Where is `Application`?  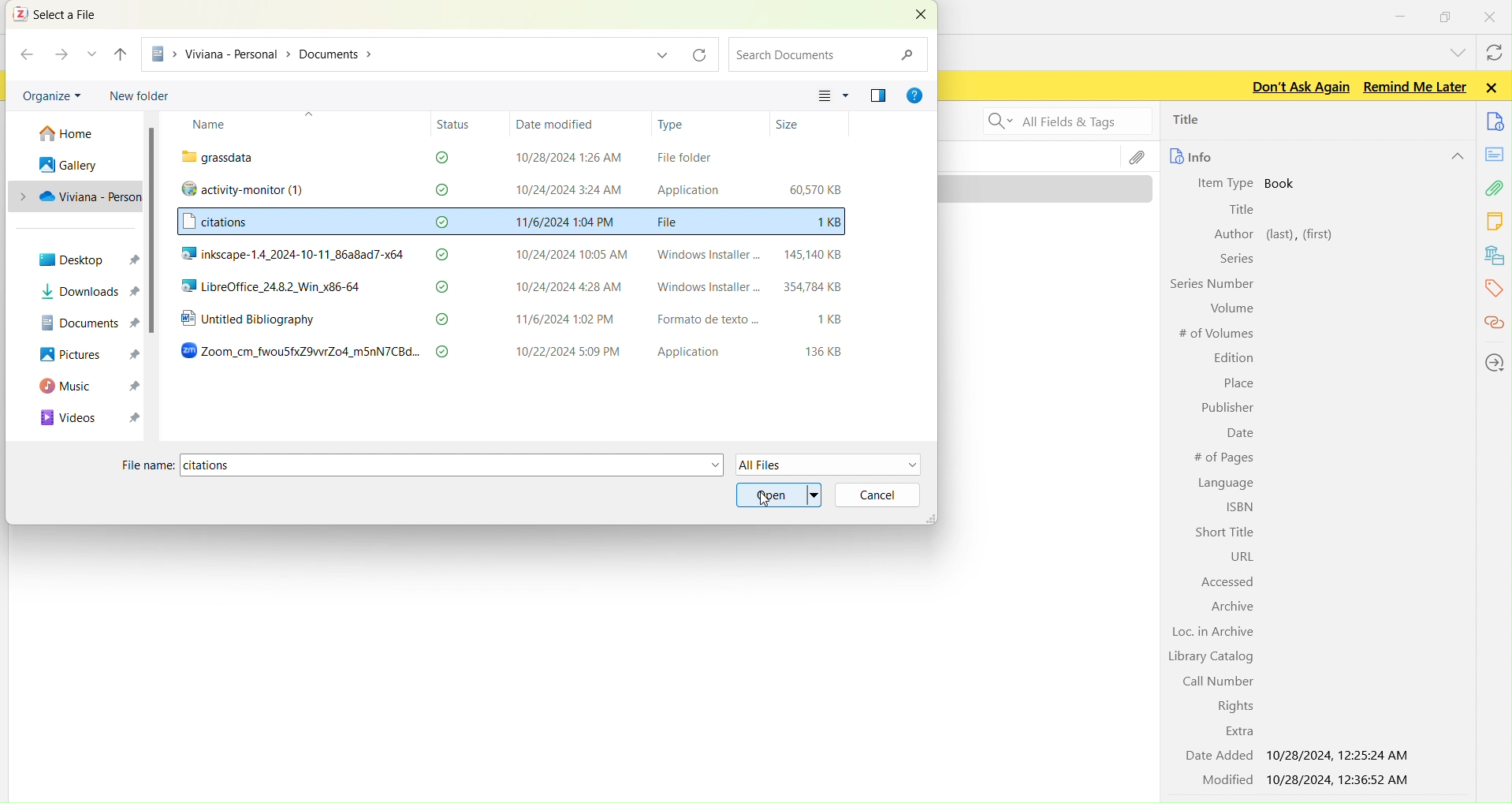
Application is located at coordinates (688, 353).